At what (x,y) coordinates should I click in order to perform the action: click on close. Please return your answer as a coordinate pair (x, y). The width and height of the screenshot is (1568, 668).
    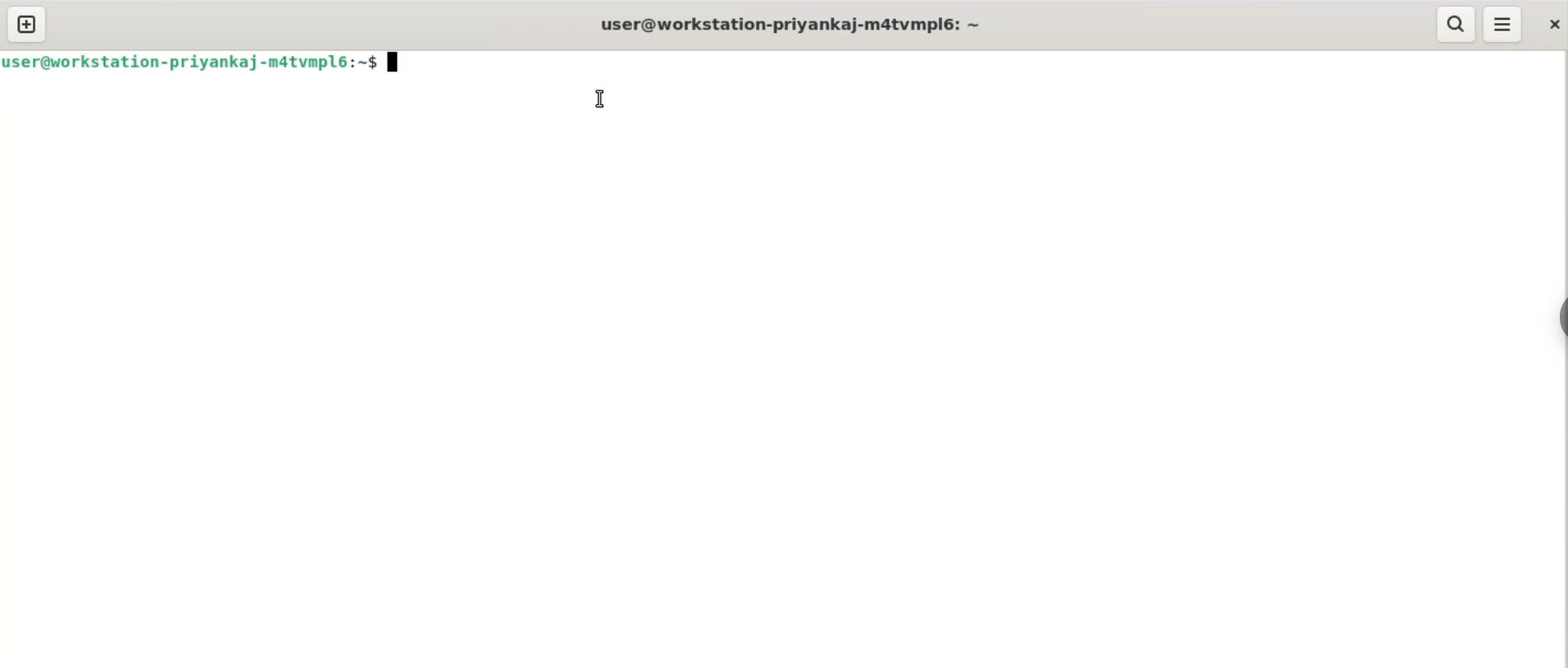
    Looking at the image, I should click on (1552, 25).